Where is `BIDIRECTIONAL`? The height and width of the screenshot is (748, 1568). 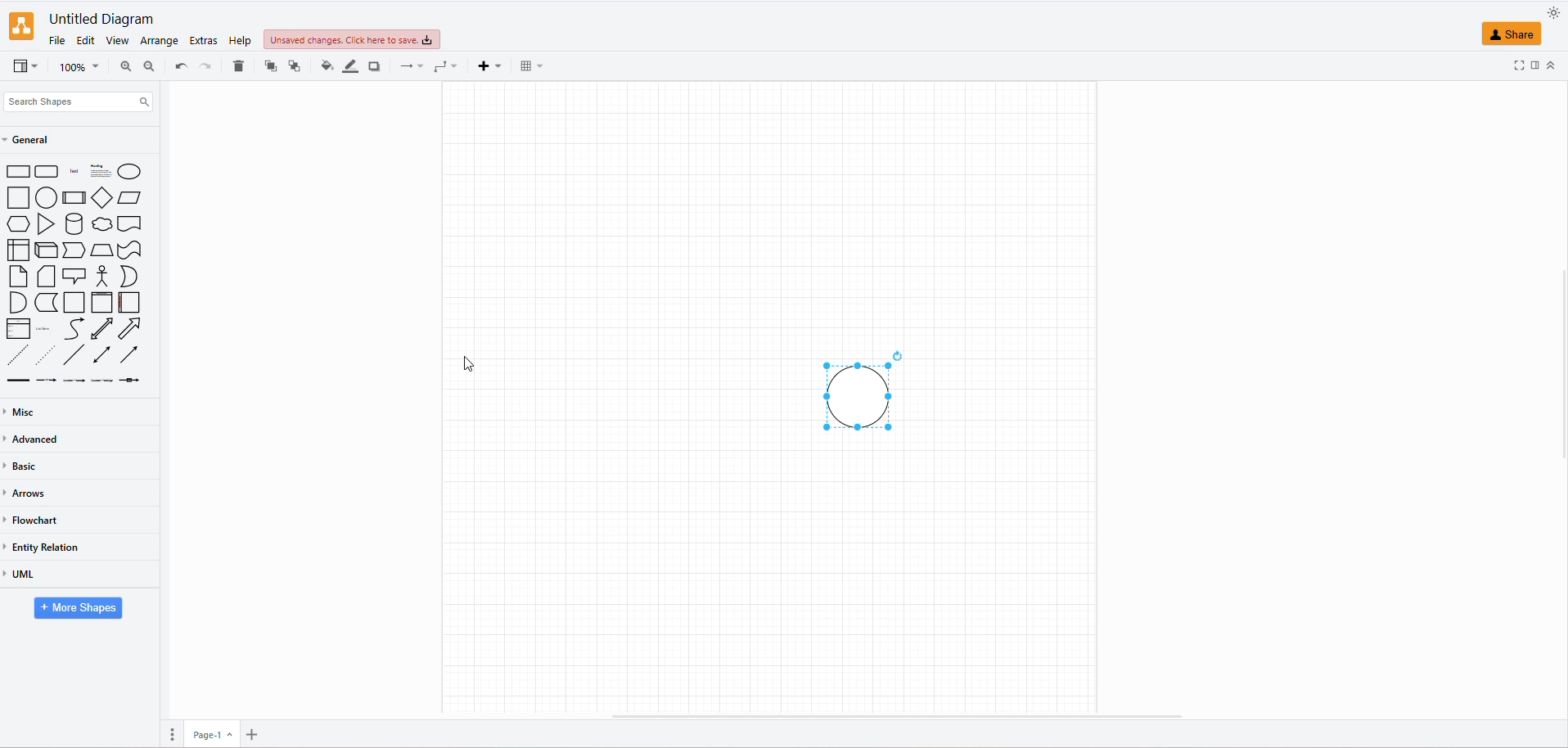 BIDIRECTIONAL is located at coordinates (100, 330).